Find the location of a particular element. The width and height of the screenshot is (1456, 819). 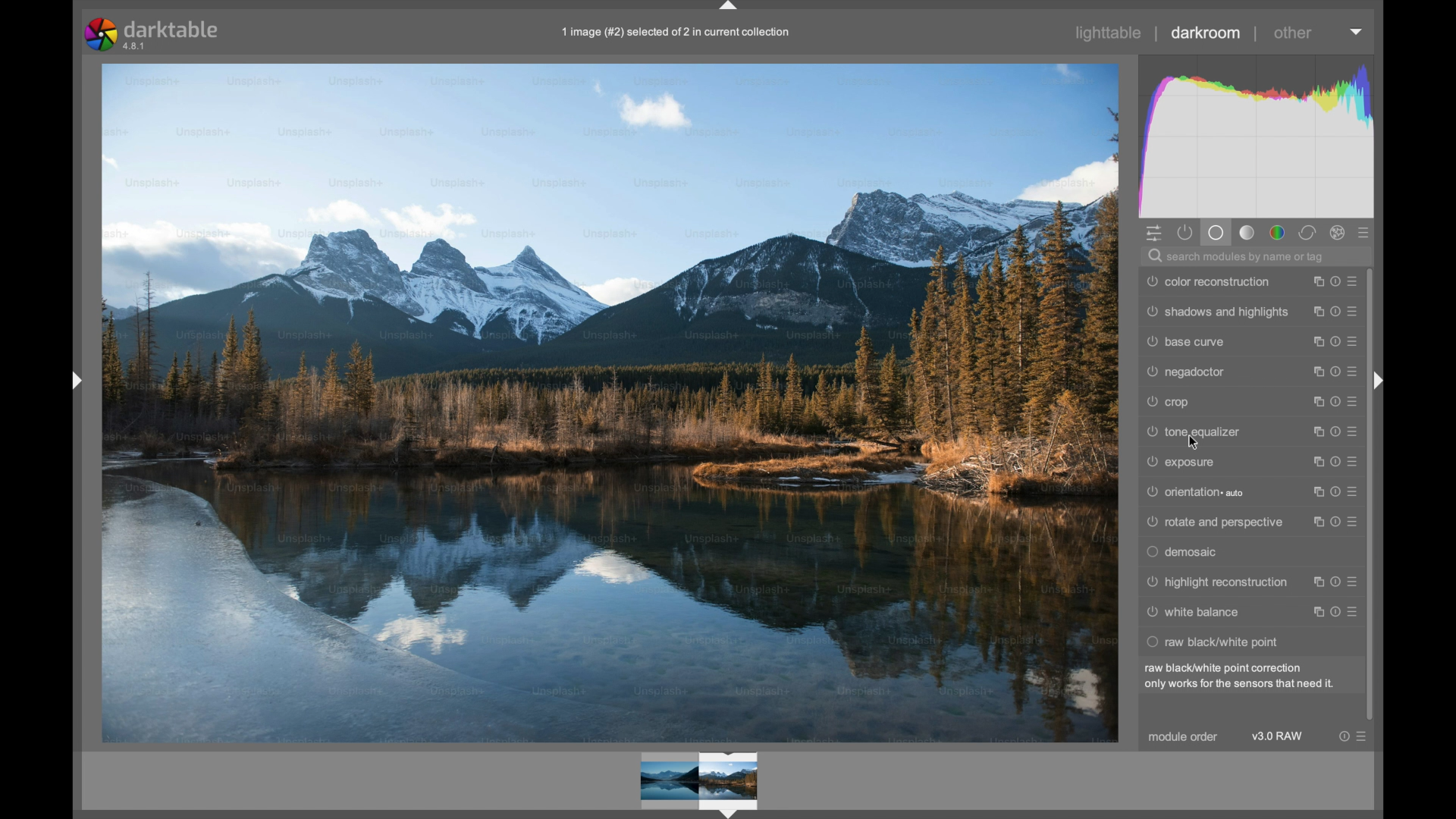

presets is located at coordinates (1356, 431).